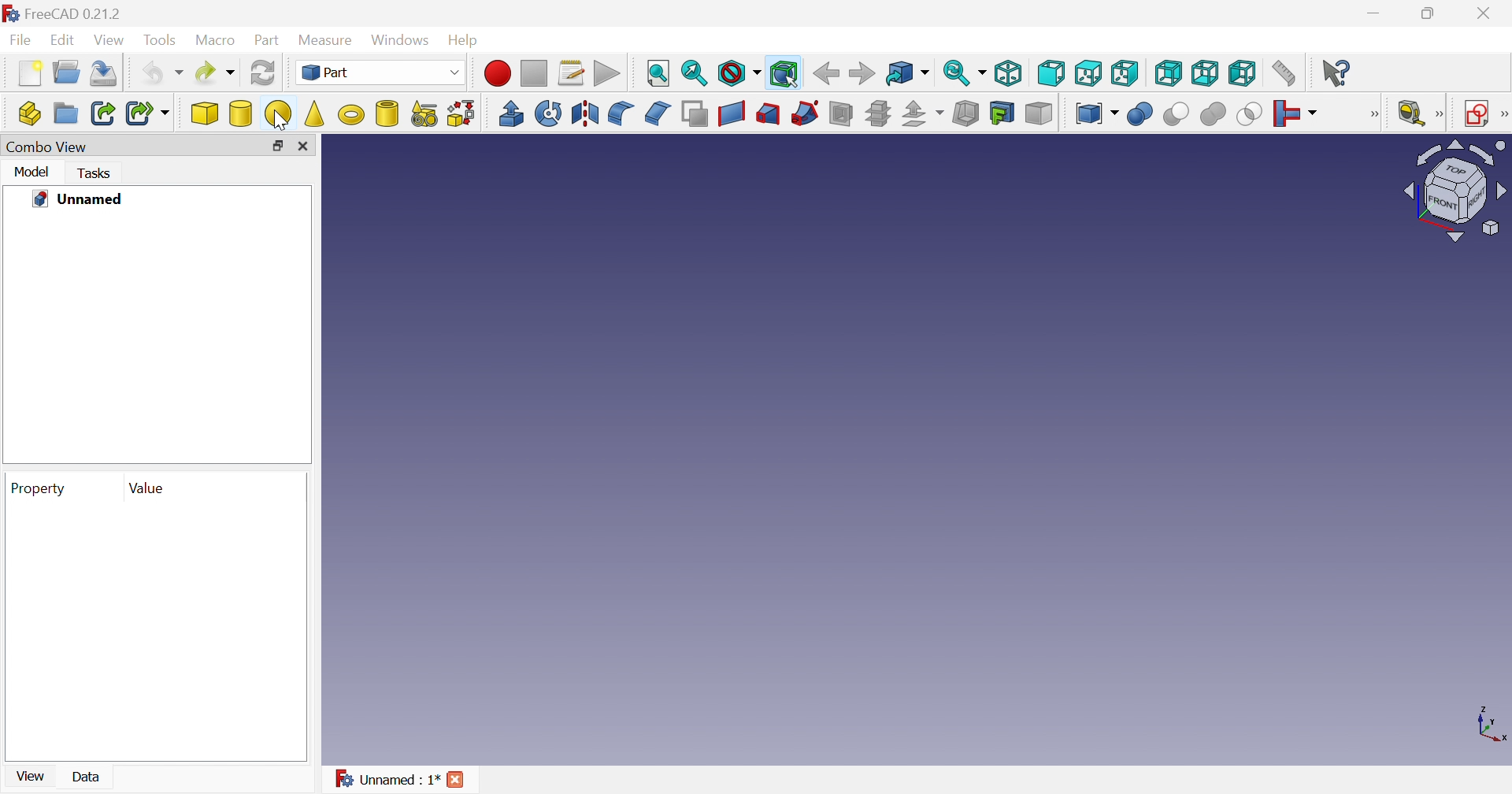 The width and height of the screenshot is (1512, 794). What do you see at coordinates (29, 73) in the screenshot?
I see `New` at bounding box center [29, 73].